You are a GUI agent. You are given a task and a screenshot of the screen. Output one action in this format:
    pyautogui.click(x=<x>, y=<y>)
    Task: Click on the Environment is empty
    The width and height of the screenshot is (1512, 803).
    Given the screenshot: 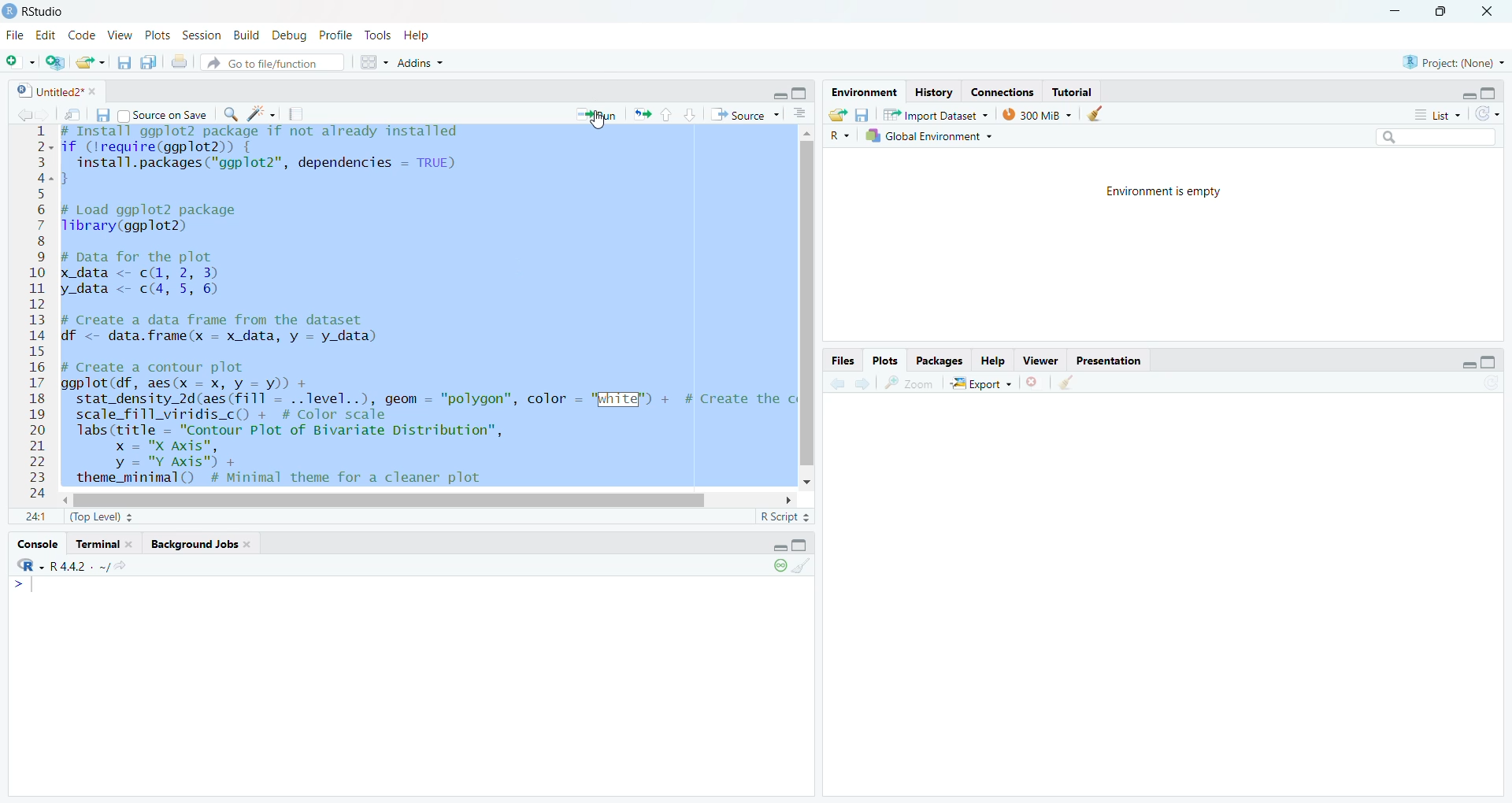 What is the action you would take?
    pyautogui.click(x=1158, y=191)
    